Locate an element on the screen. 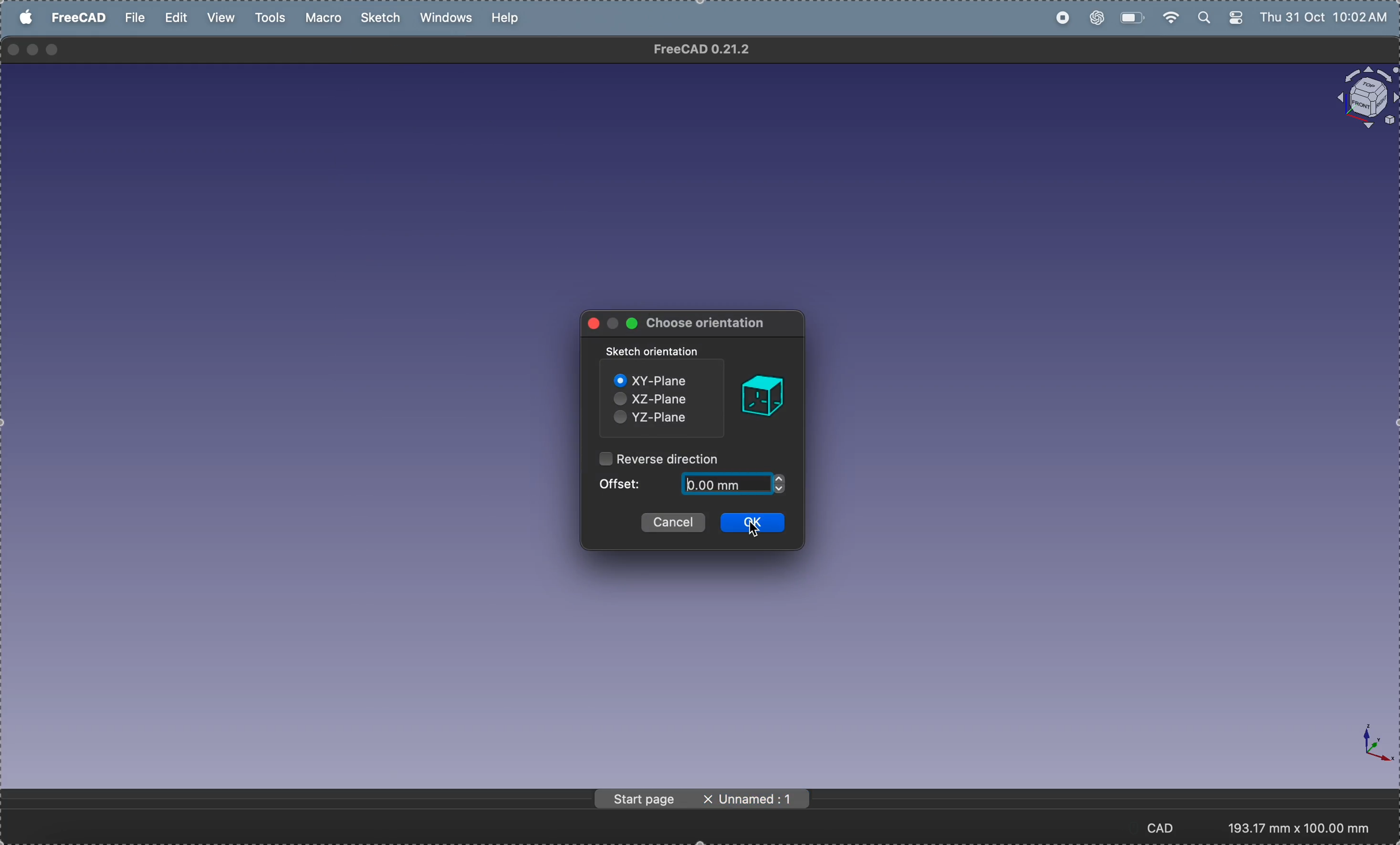 This screenshot has width=1400, height=845. help is located at coordinates (507, 17).